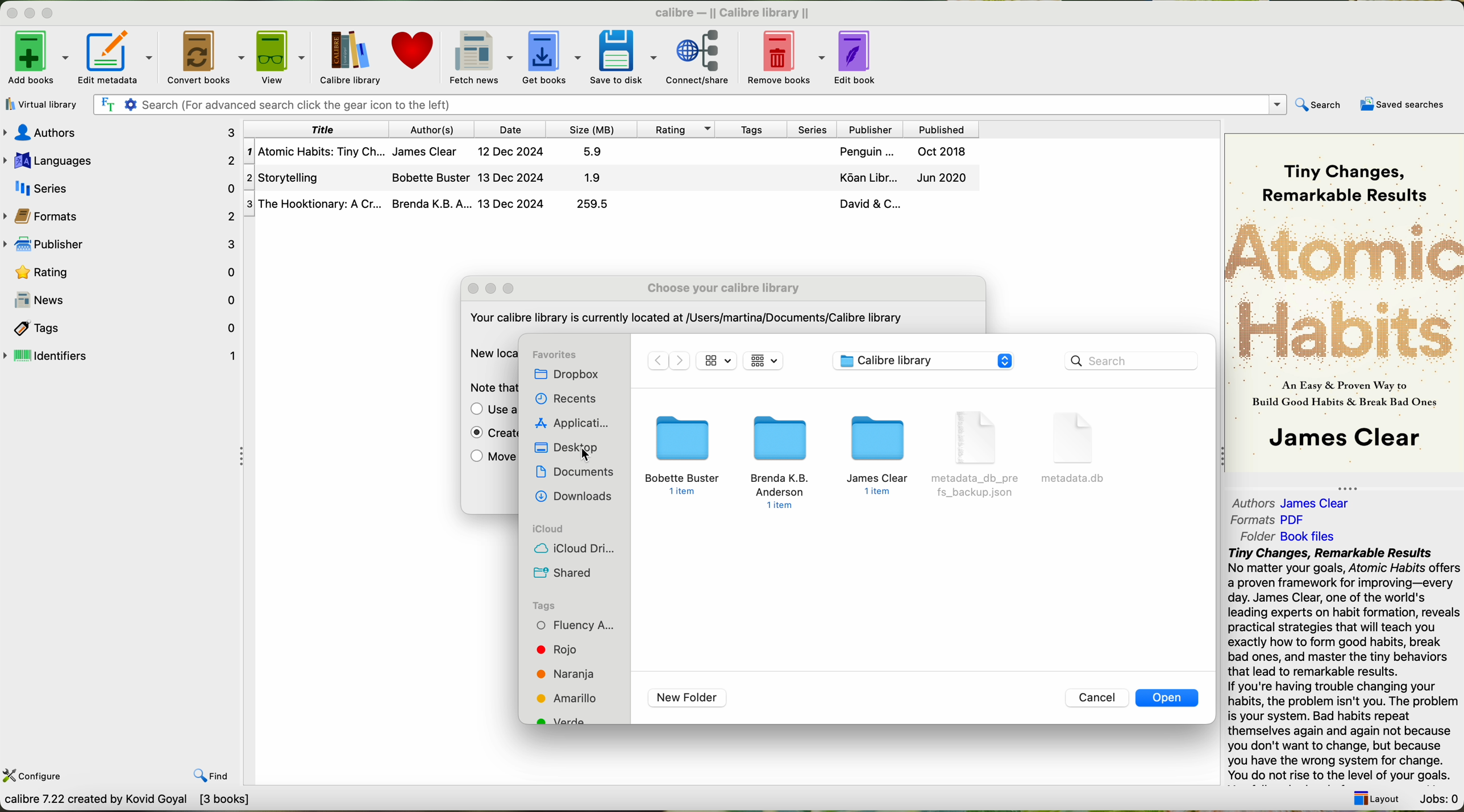 This screenshot has height=812, width=1464. What do you see at coordinates (673, 128) in the screenshot?
I see `rating` at bounding box center [673, 128].